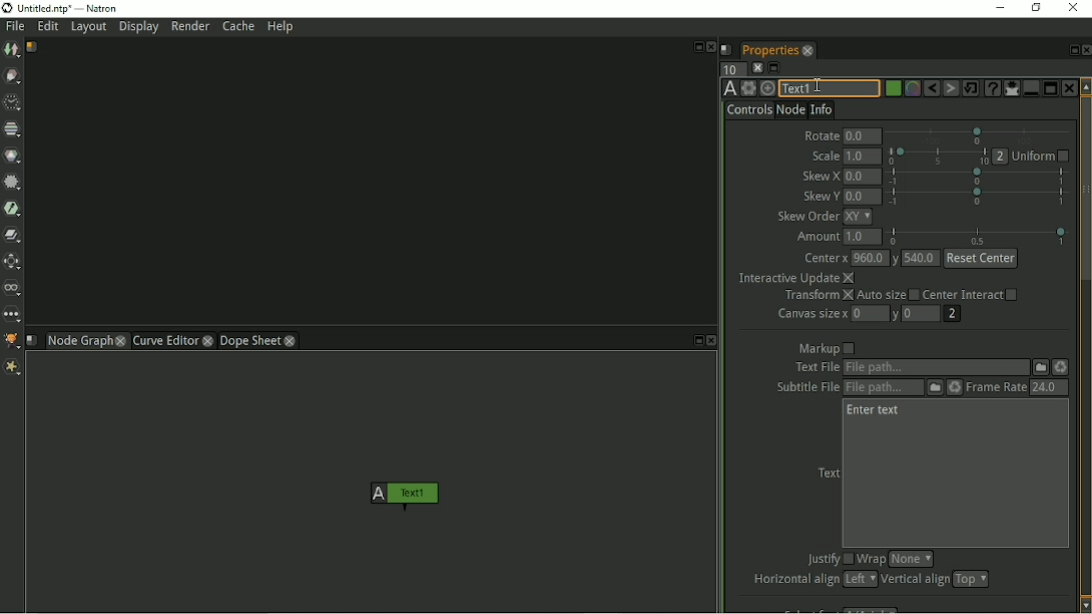 Image resolution: width=1092 pixels, height=614 pixels. Describe the element at coordinates (935, 388) in the screenshot. I see `Subtitle` at that location.